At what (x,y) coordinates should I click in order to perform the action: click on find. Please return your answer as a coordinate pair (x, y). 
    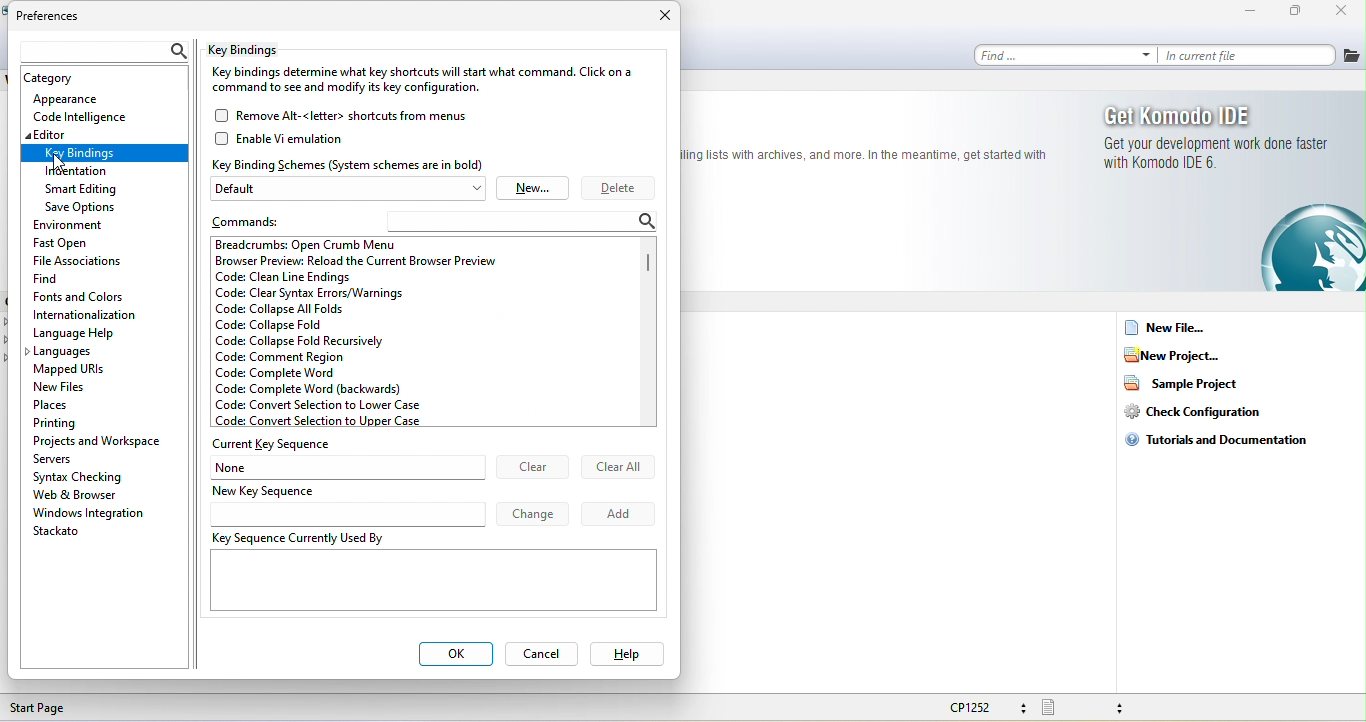
    Looking at the image, I should click on (1065, 54).